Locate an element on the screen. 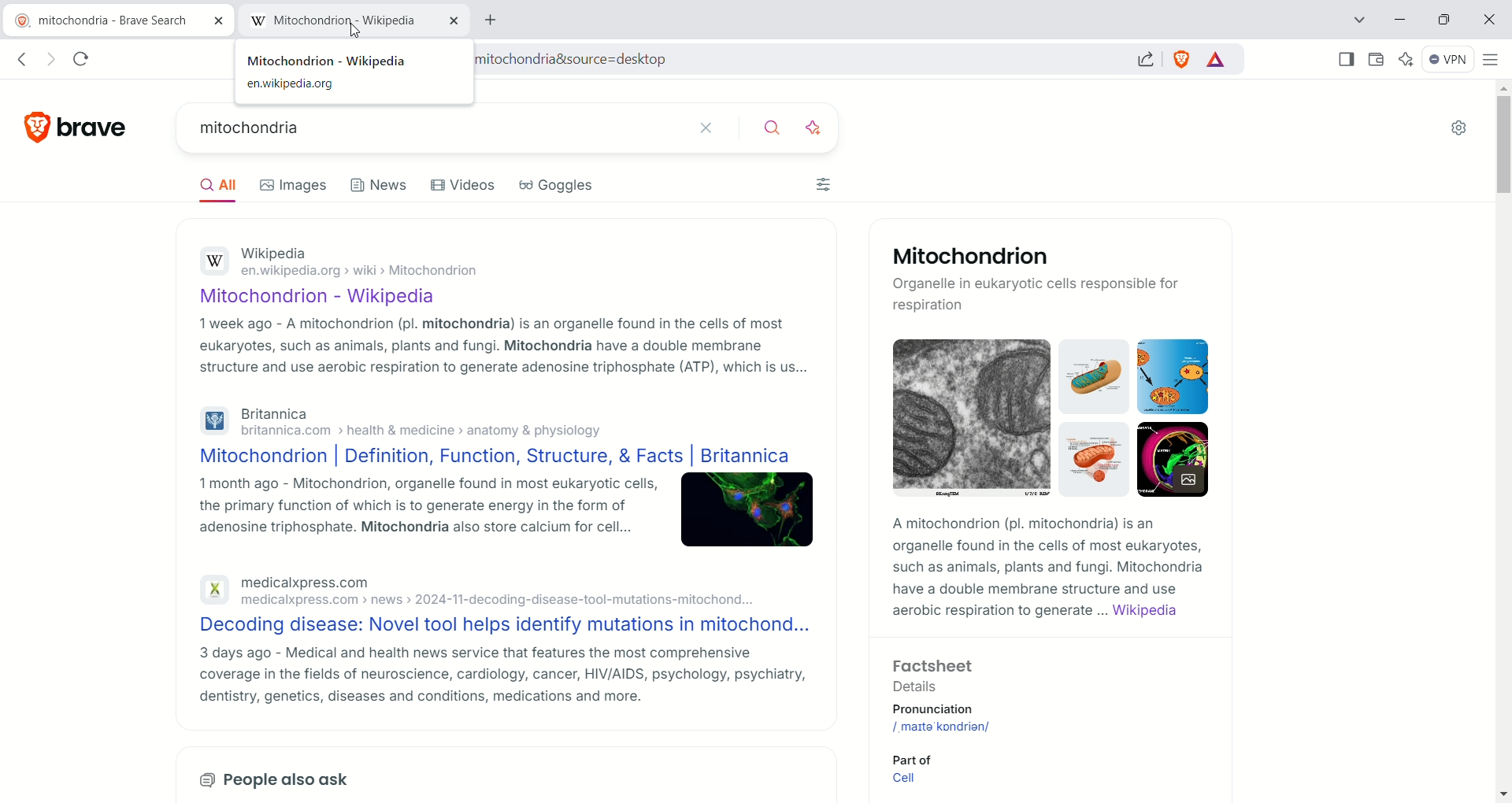 The height and width of the screenshot is (803, 1512). brave is located at coordinates (100, 127).